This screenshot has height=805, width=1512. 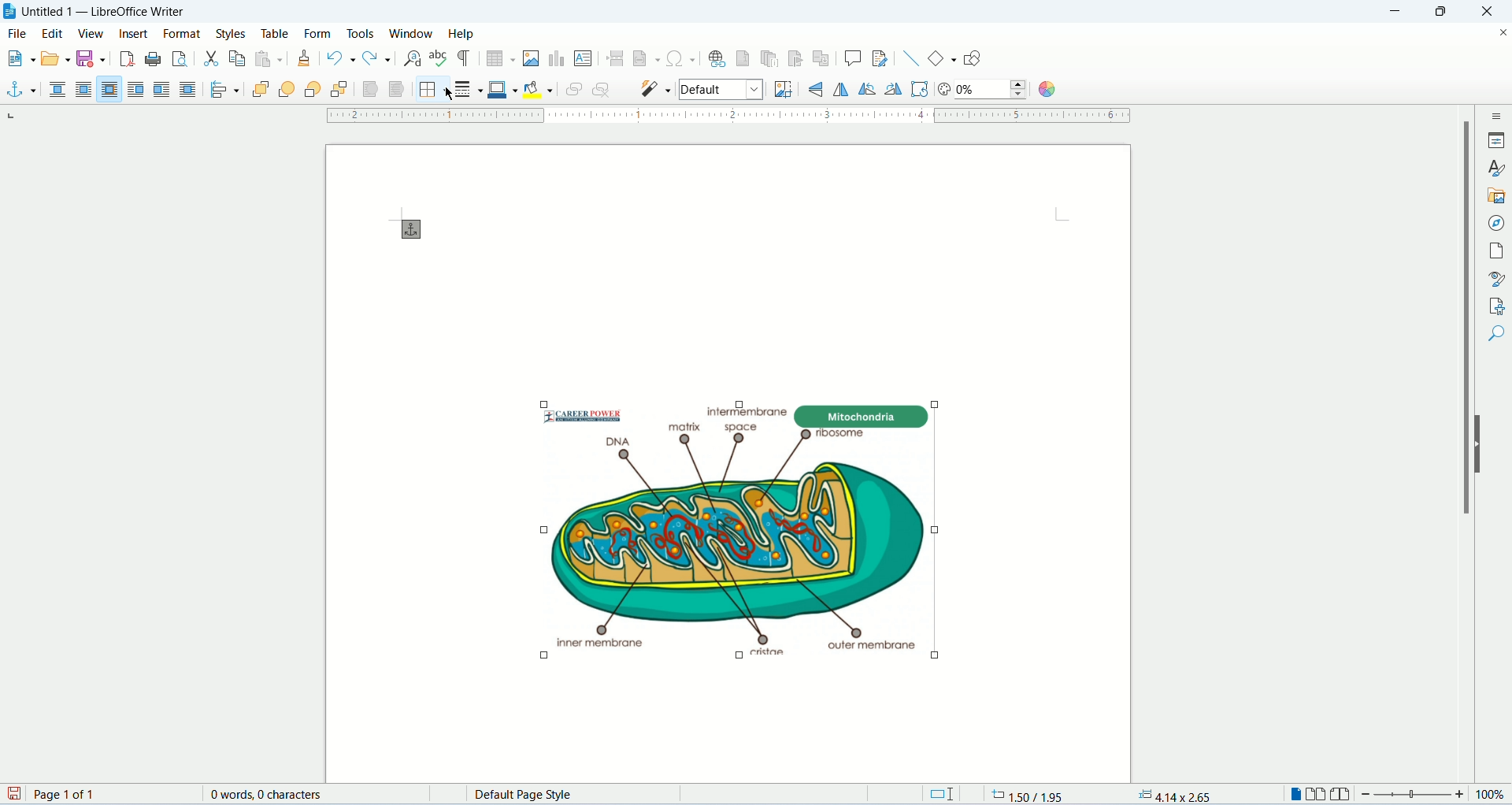 I want to click on bring to front, so click(x=259, y=91).